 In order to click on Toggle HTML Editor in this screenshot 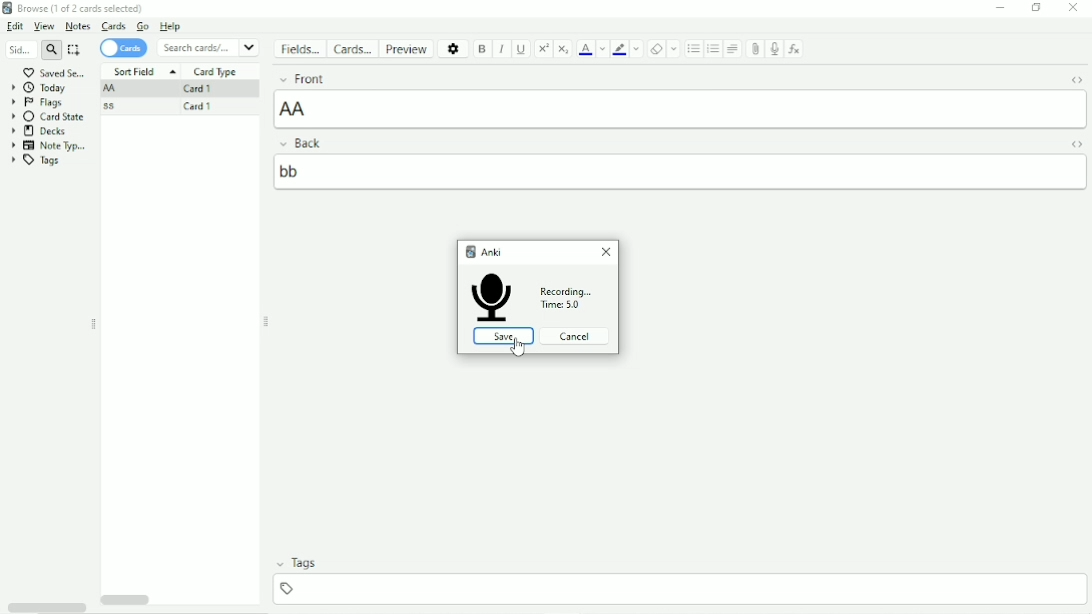, I will do `click(1076, 145)`.